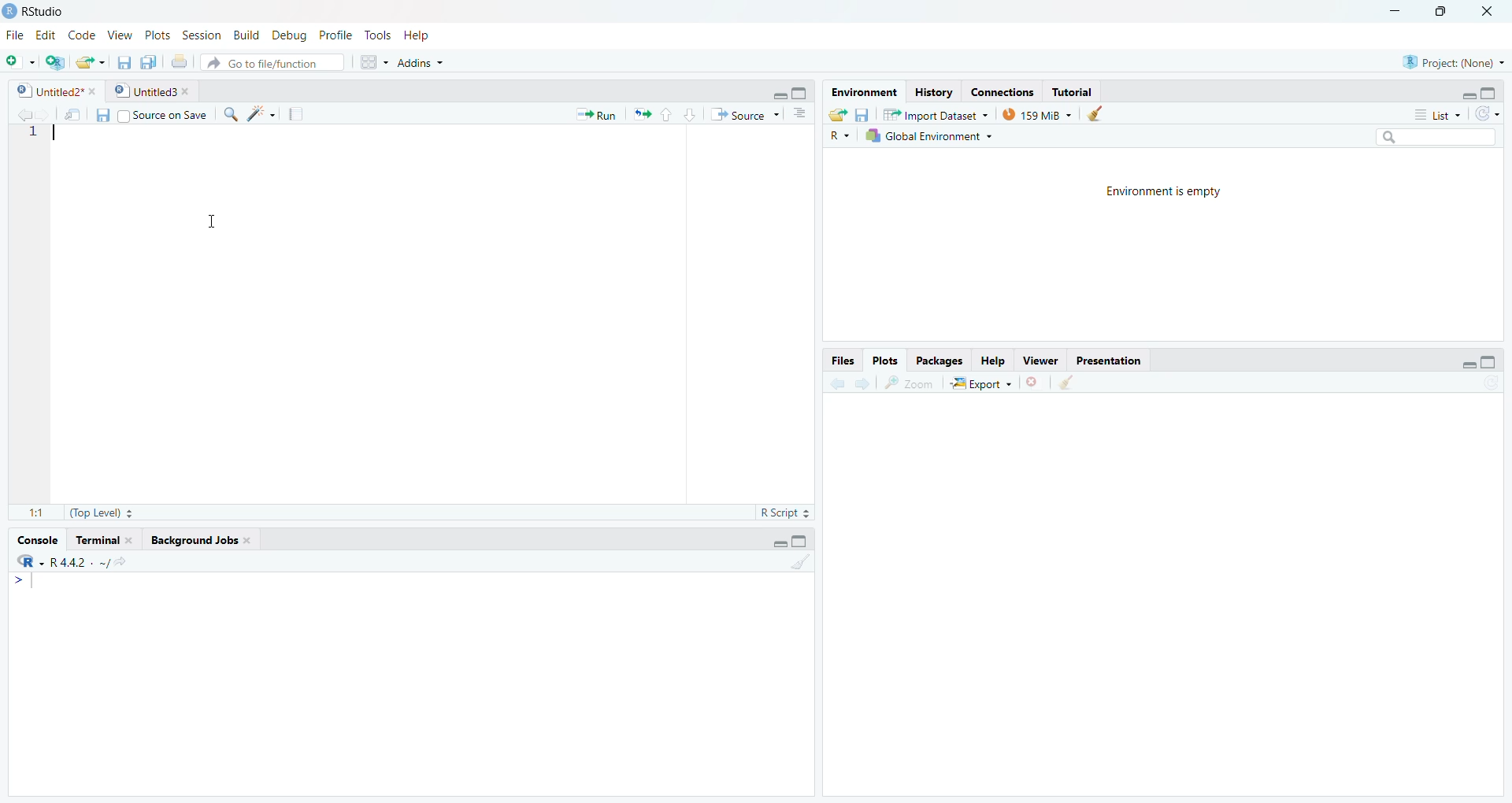 The height and width of the screenshot is (803, 1512). Describe the element at coordinates (778, 542) in the screenshot. I see `Minimize` at that location.